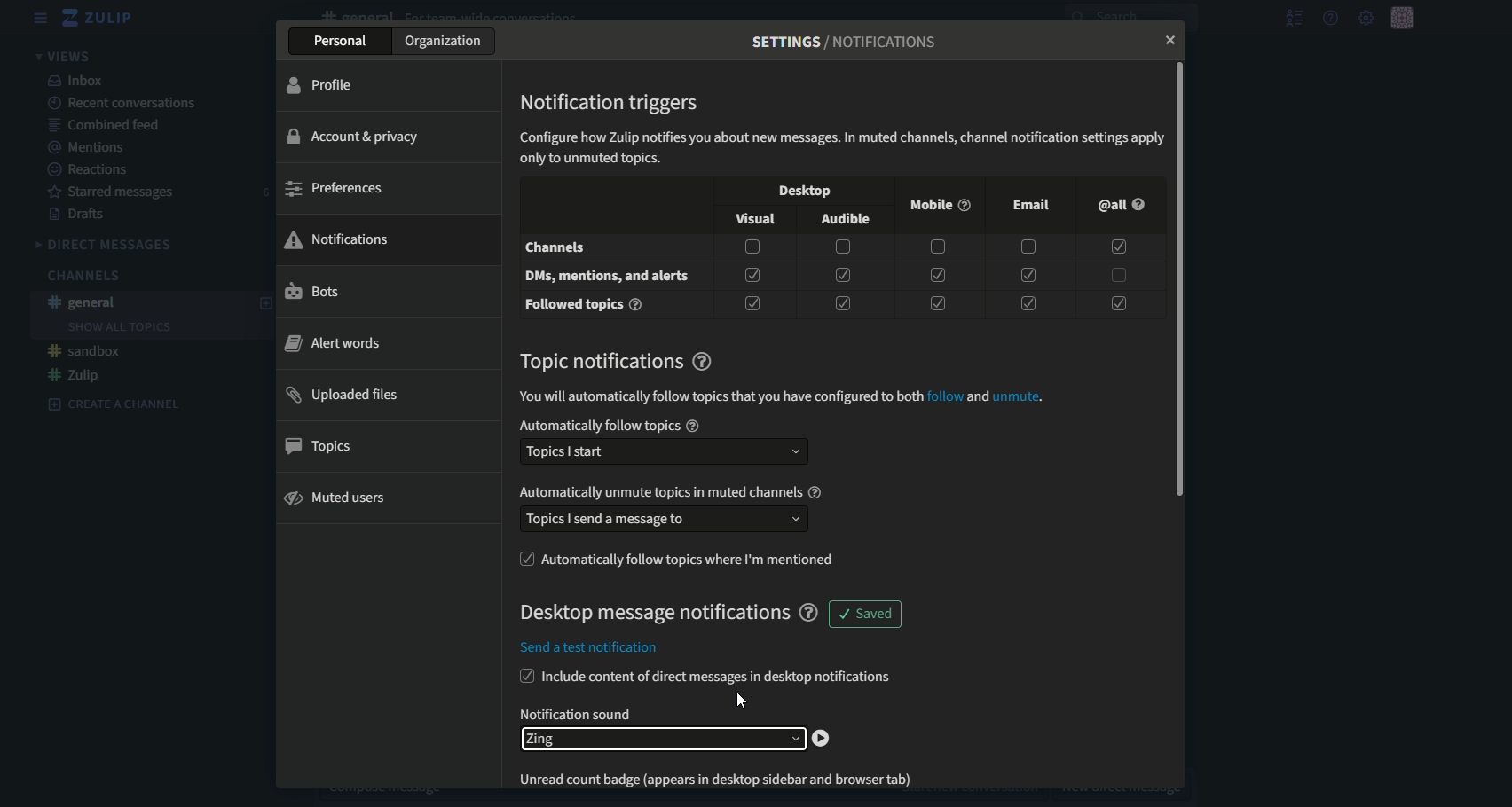  I want to click on check box, so click(752, 247).